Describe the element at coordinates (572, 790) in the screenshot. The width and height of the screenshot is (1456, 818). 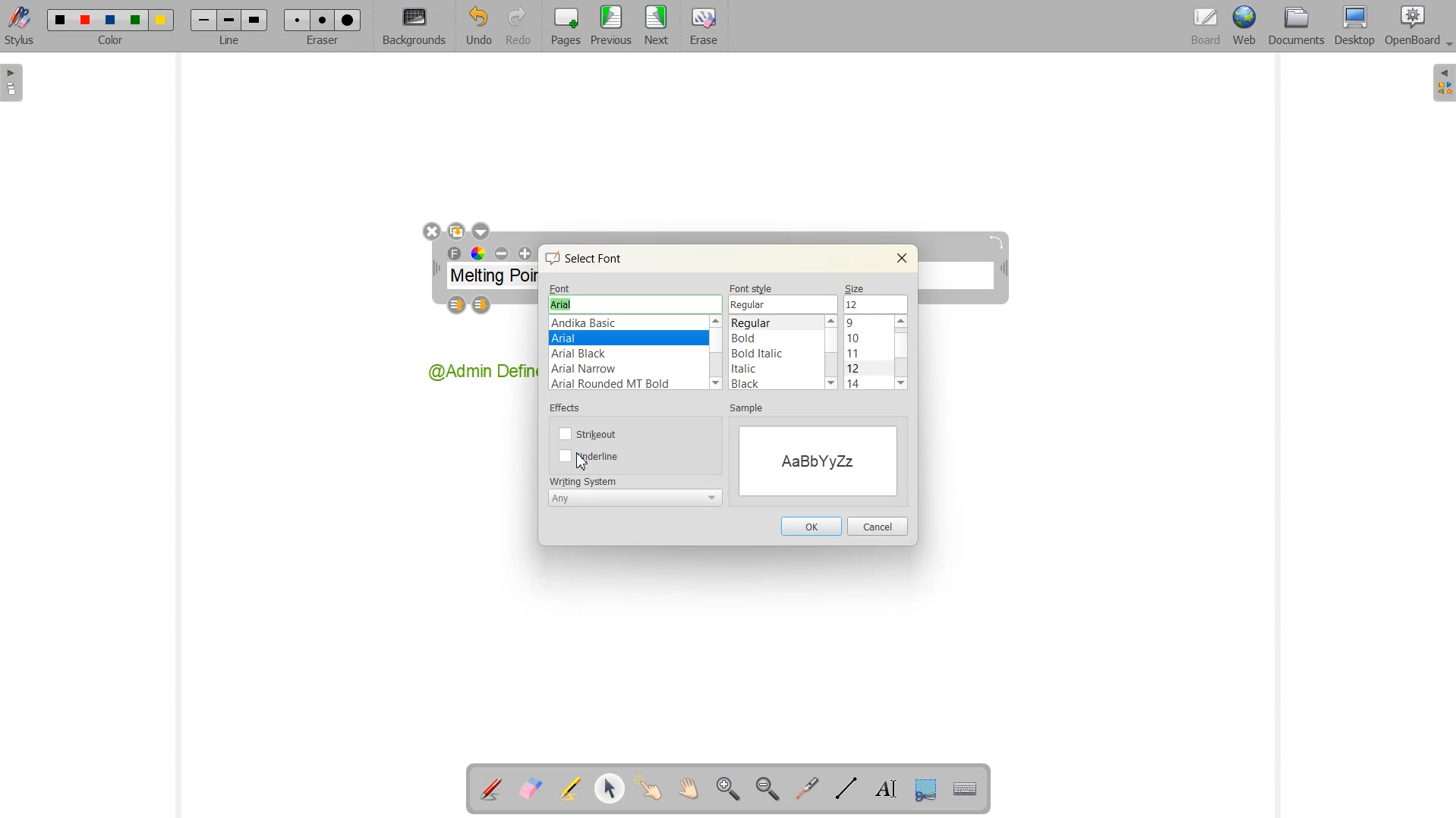
I see `Highlight` at that location.